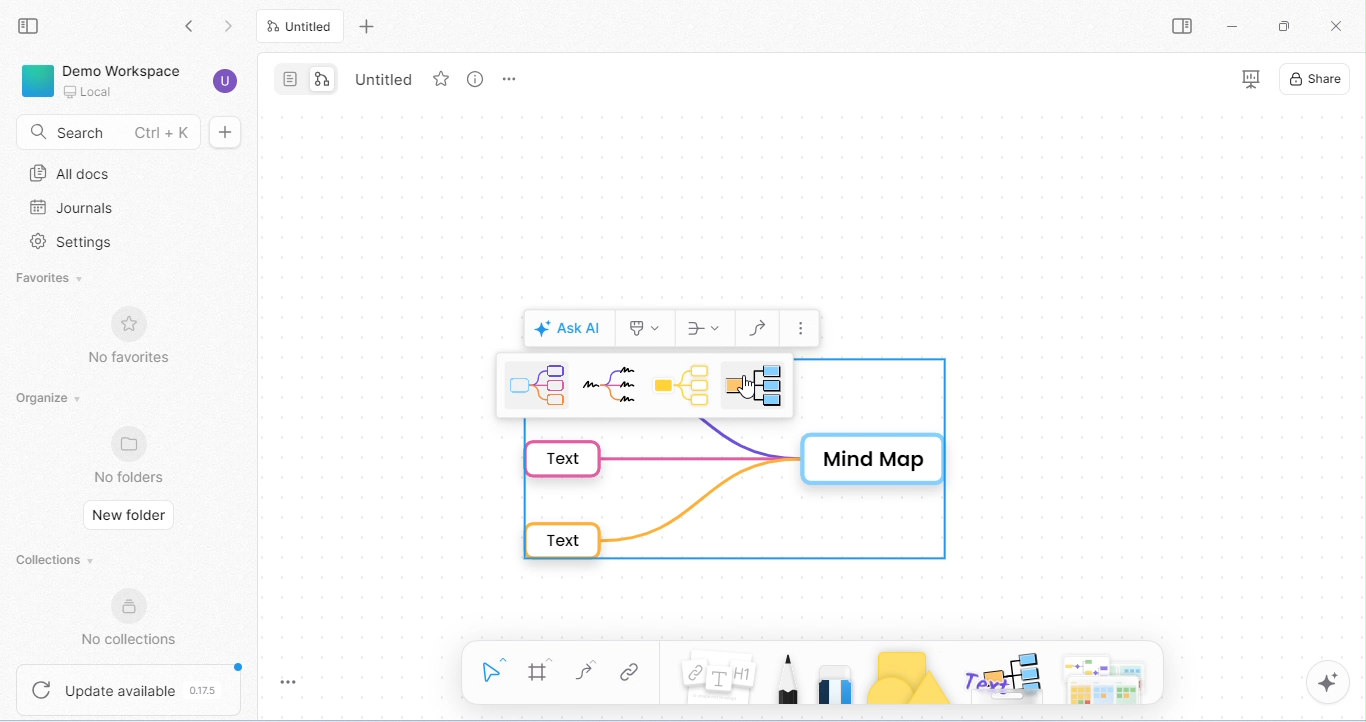 The height and width of the screenshot is (722, 1366). What do you see at coordinates (55, 278) in the screenshot?
I see `favorites` at bounding box center [55, 278].